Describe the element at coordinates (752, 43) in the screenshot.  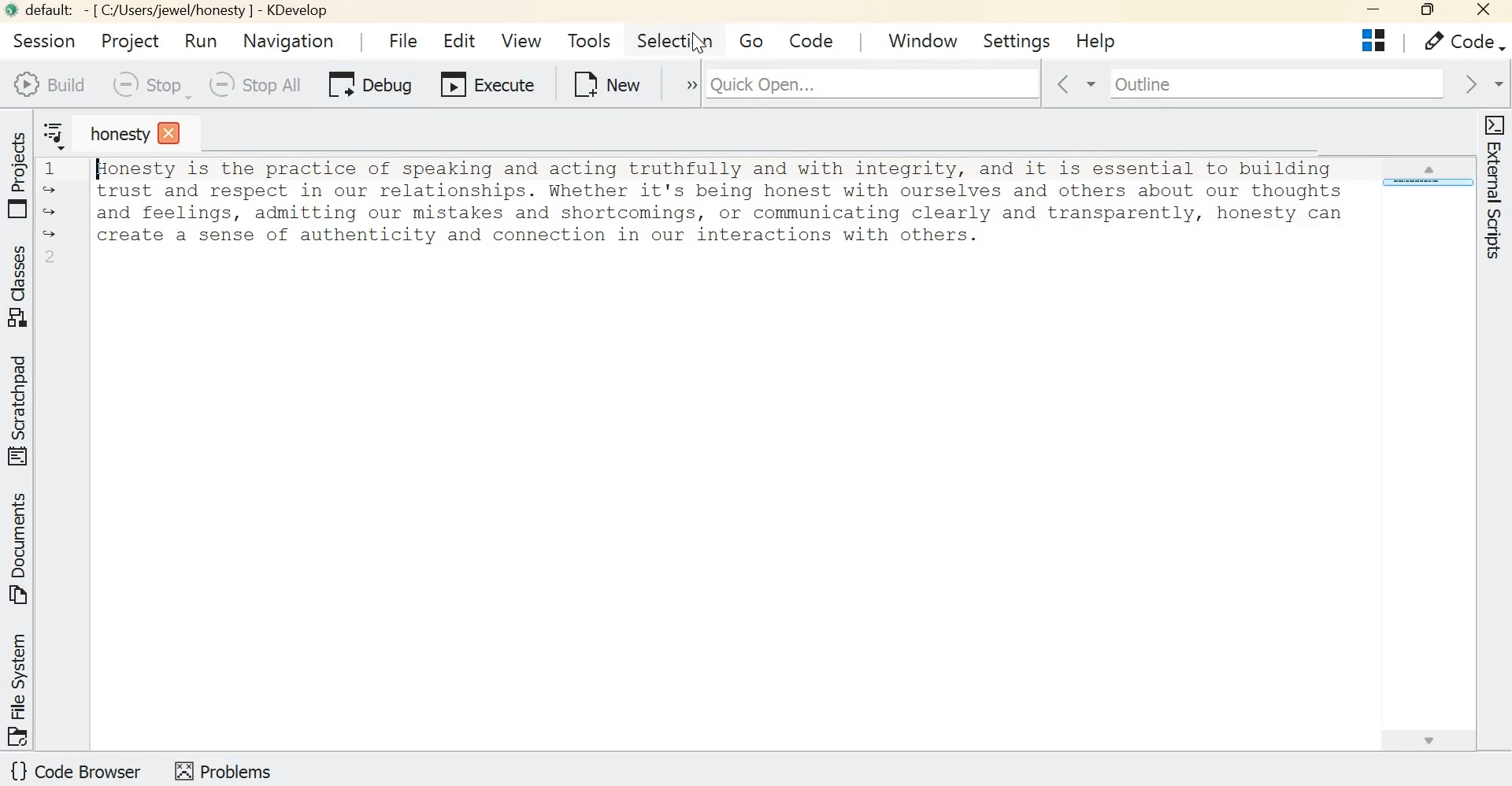
I see `Go` at that location.